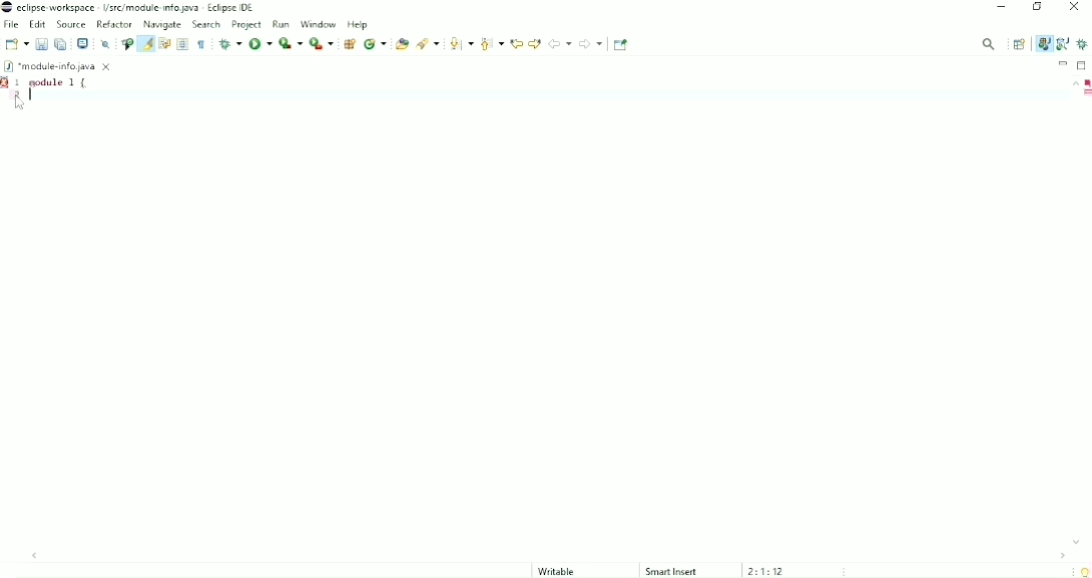 The image size is (1092, 578). I want to click on Open Perspective, so click(1019, 44).